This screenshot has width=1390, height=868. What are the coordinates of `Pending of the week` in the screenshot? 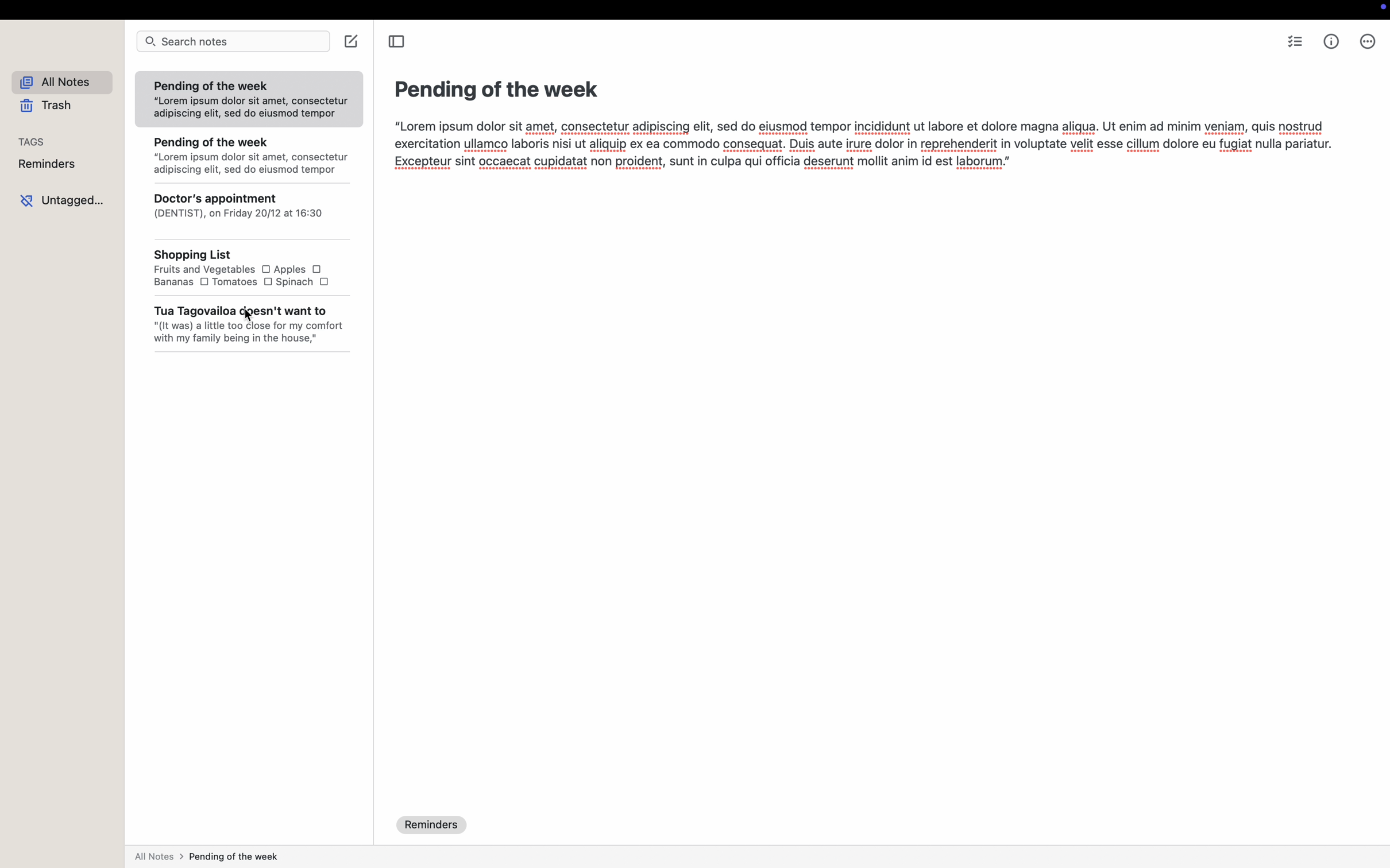 It's located at (490, 87).